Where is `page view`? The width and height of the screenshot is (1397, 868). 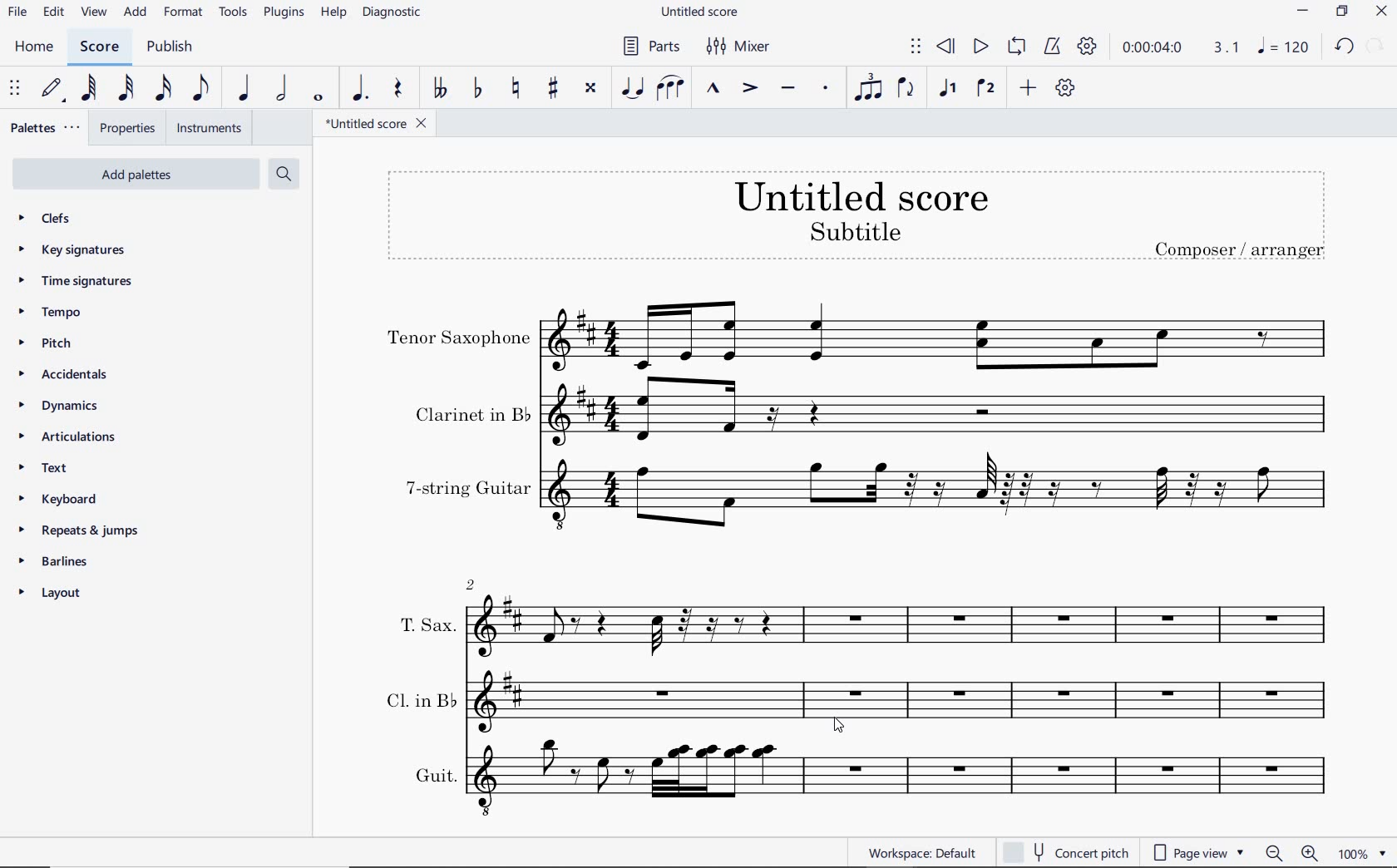
page view is located at coordinates (1202, 851).